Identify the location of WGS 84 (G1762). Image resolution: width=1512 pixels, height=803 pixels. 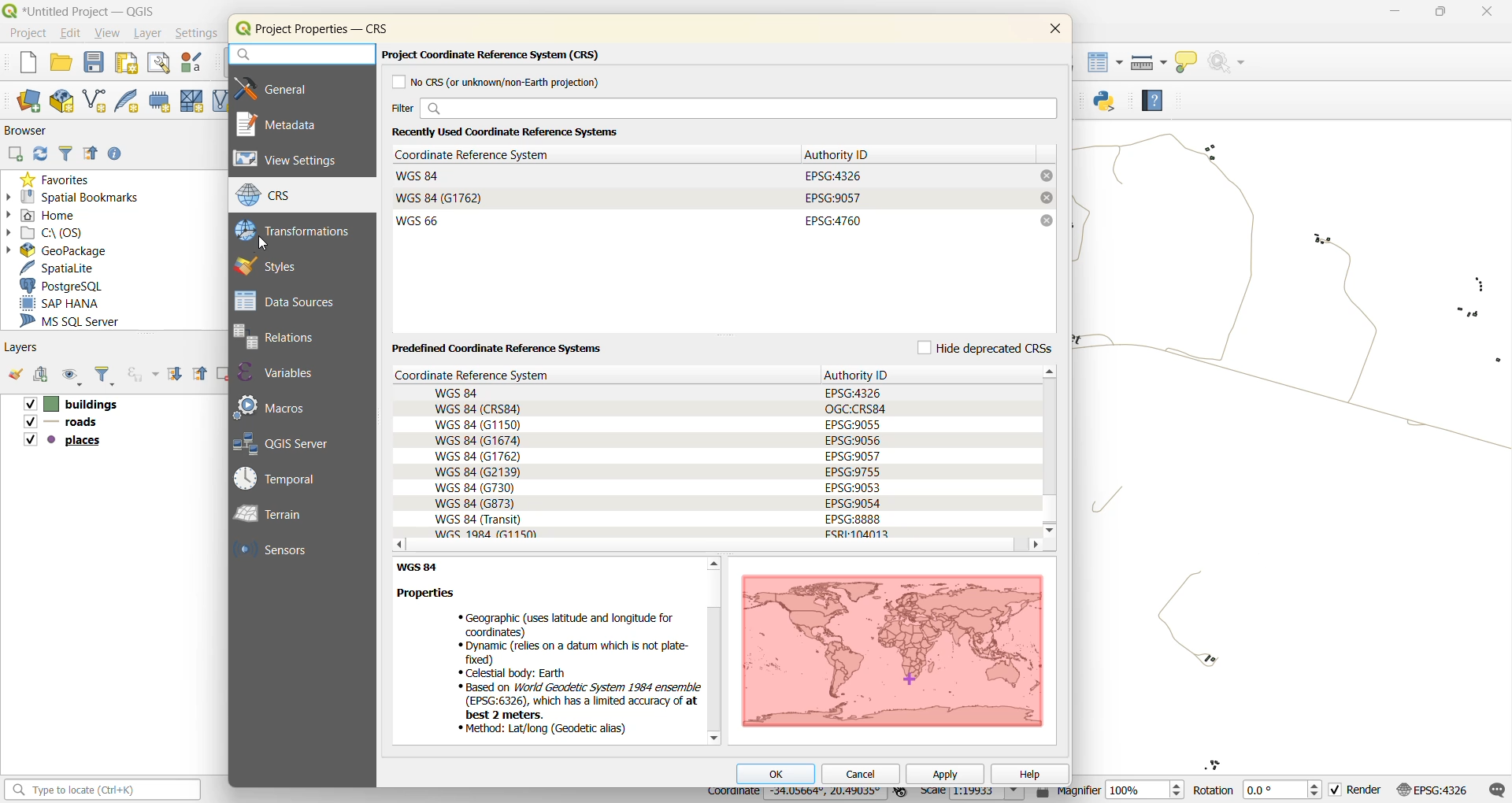
(477, 456).